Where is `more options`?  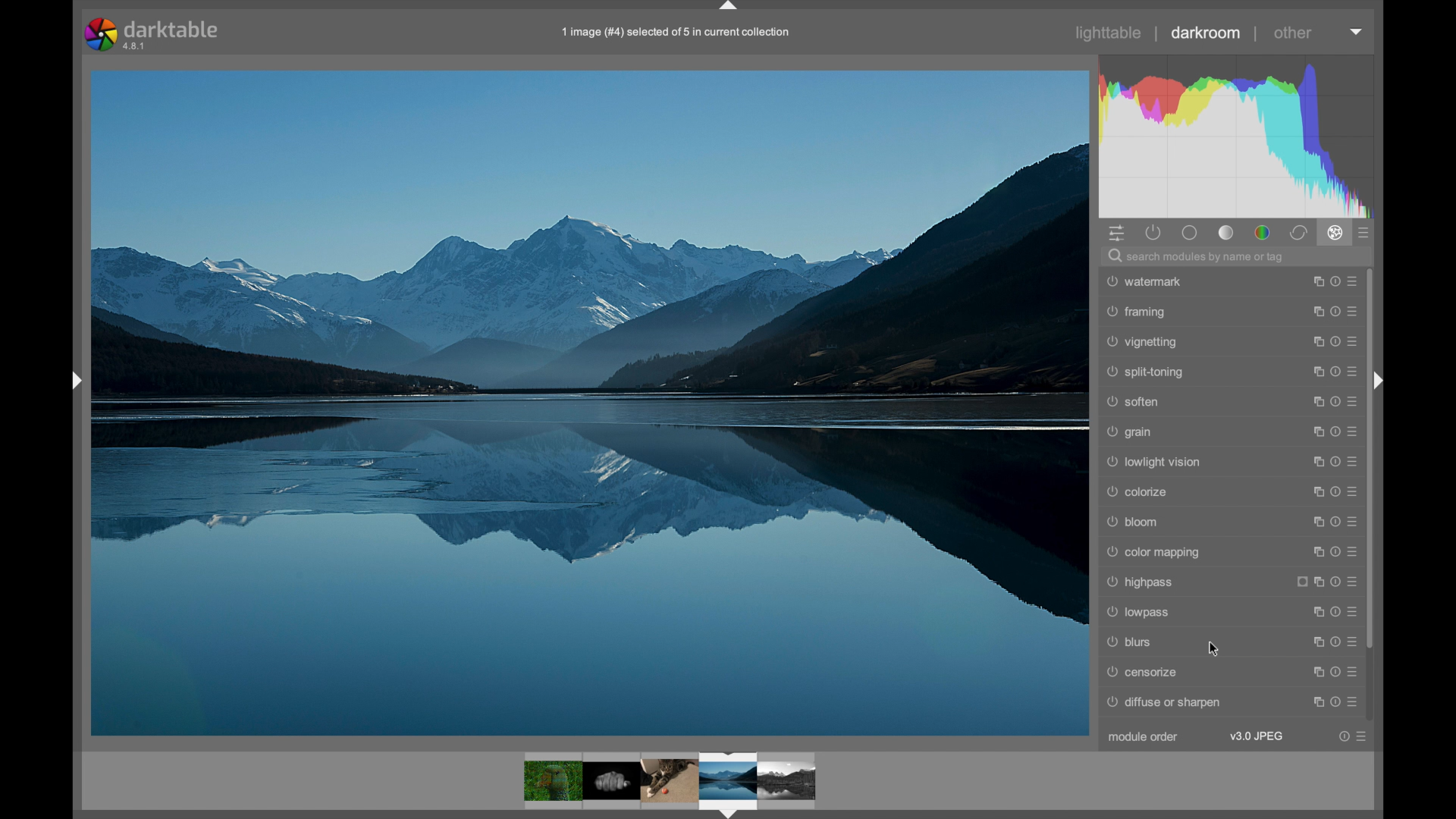
more options is located at coordinates (1354, 312).